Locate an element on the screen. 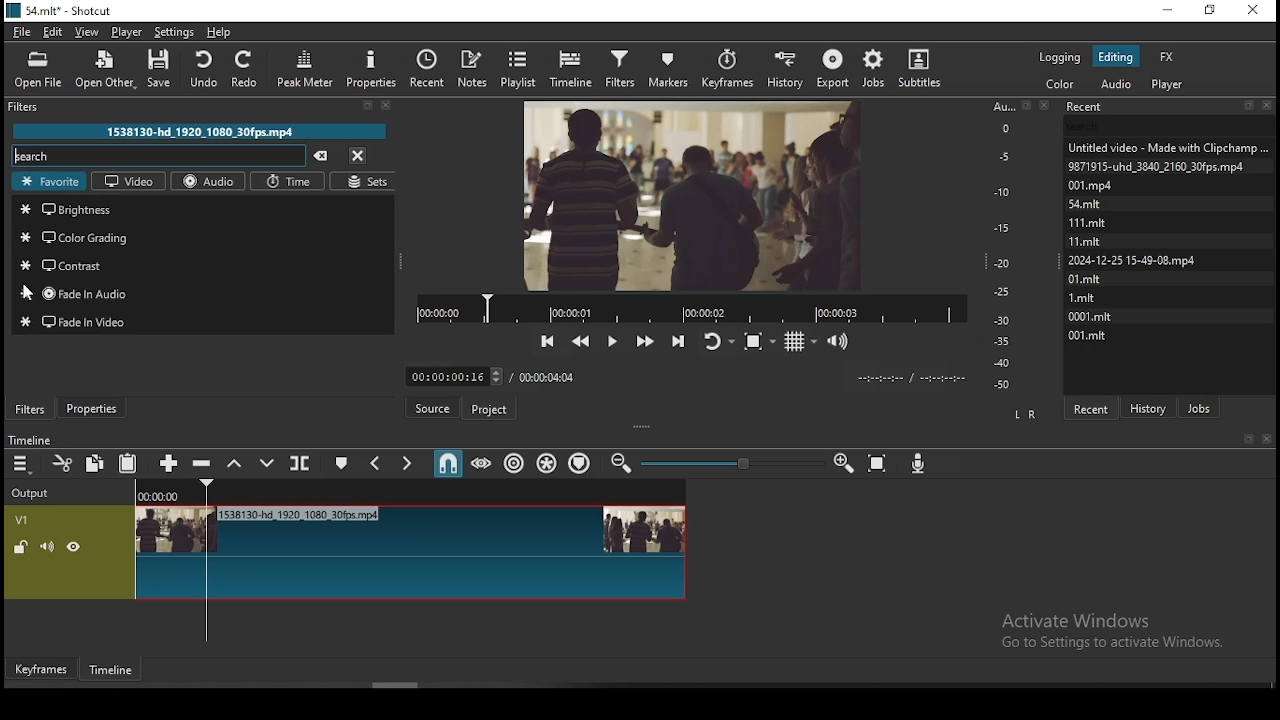 This screenshot has width=1280, height=720. jobs is located at coordinates (871, 69).